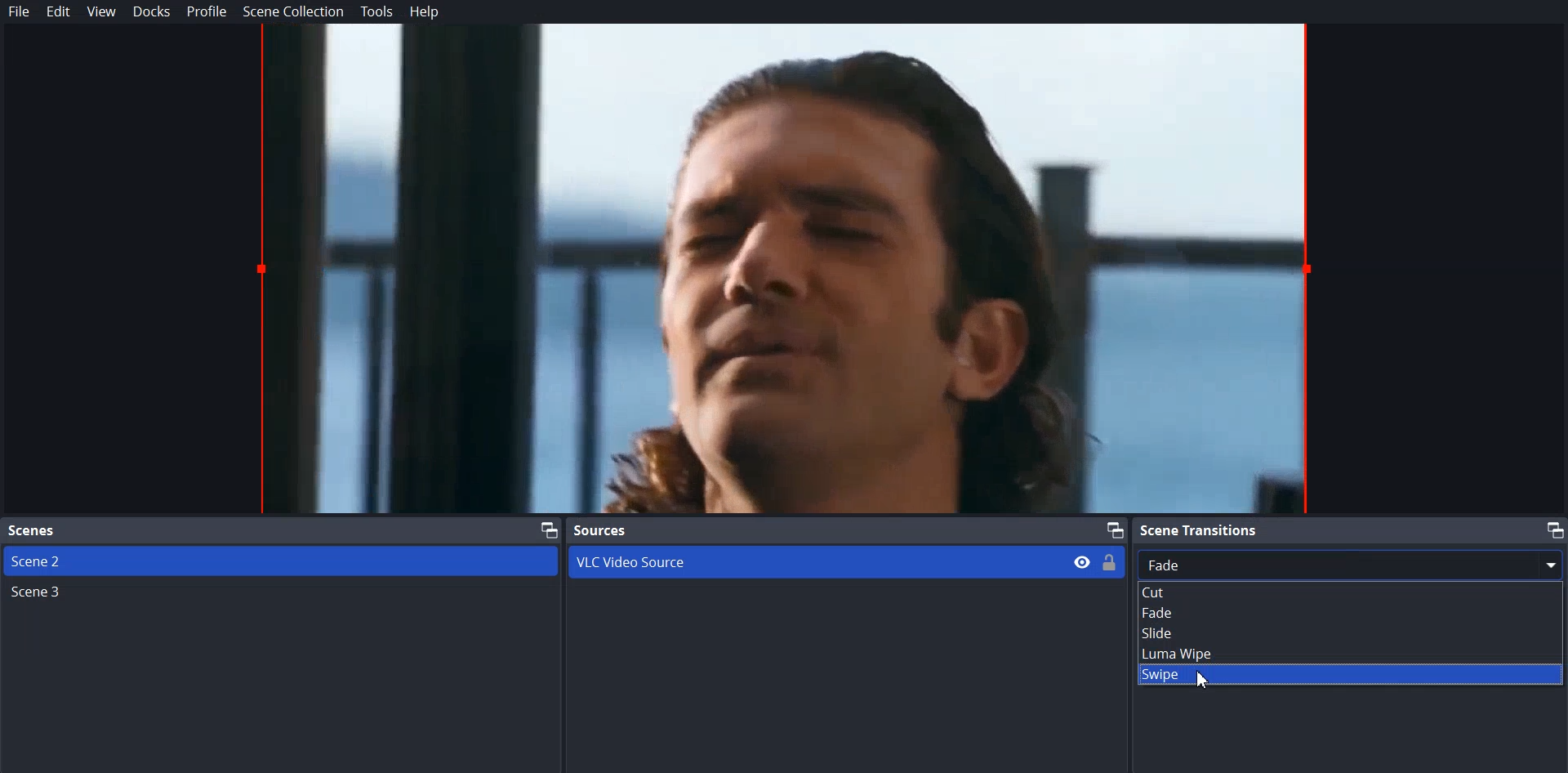 The width and height of the screenshot is (1568, 773). I want to click on File, so click(20, 11).